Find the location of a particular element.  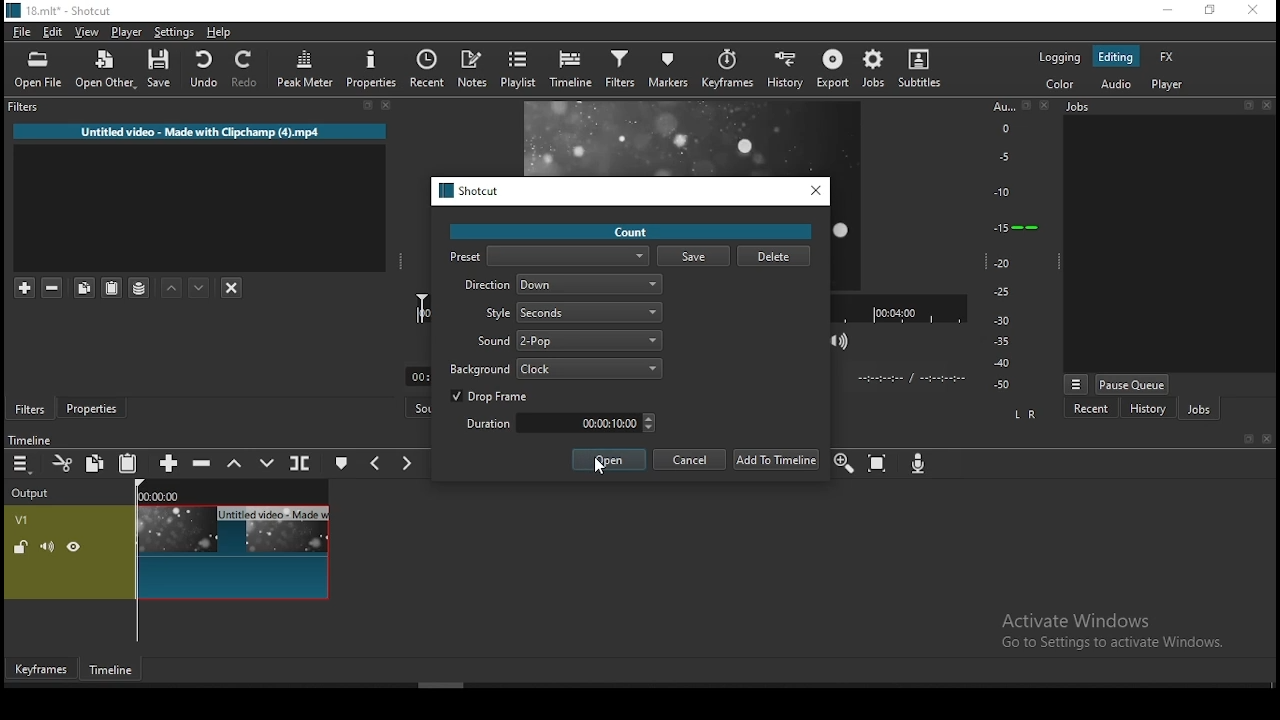

paste is located at coordinates (127, 463).